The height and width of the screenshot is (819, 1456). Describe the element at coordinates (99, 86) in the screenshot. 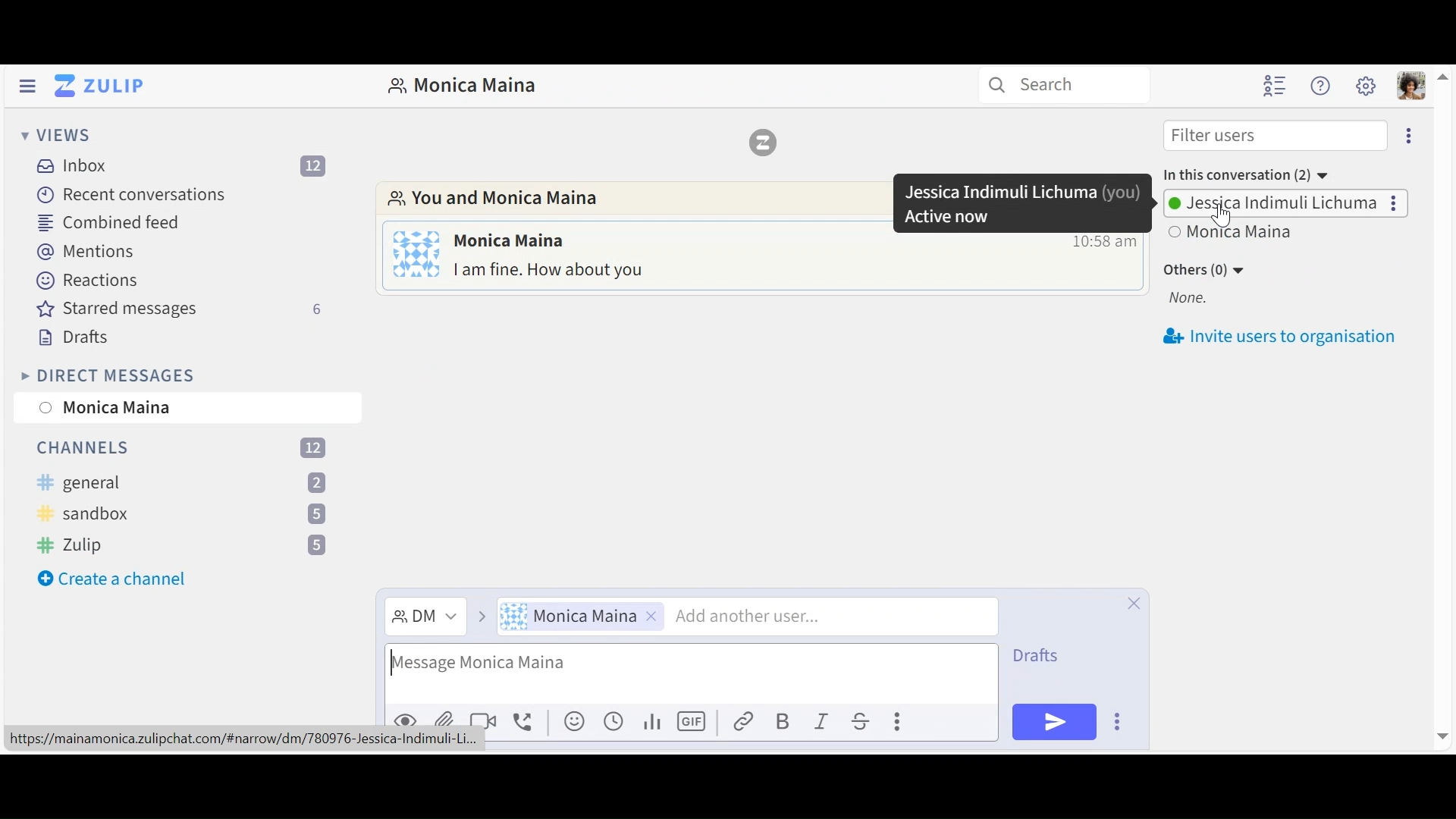

I see `Go to Home View (Inbox)` at that location.